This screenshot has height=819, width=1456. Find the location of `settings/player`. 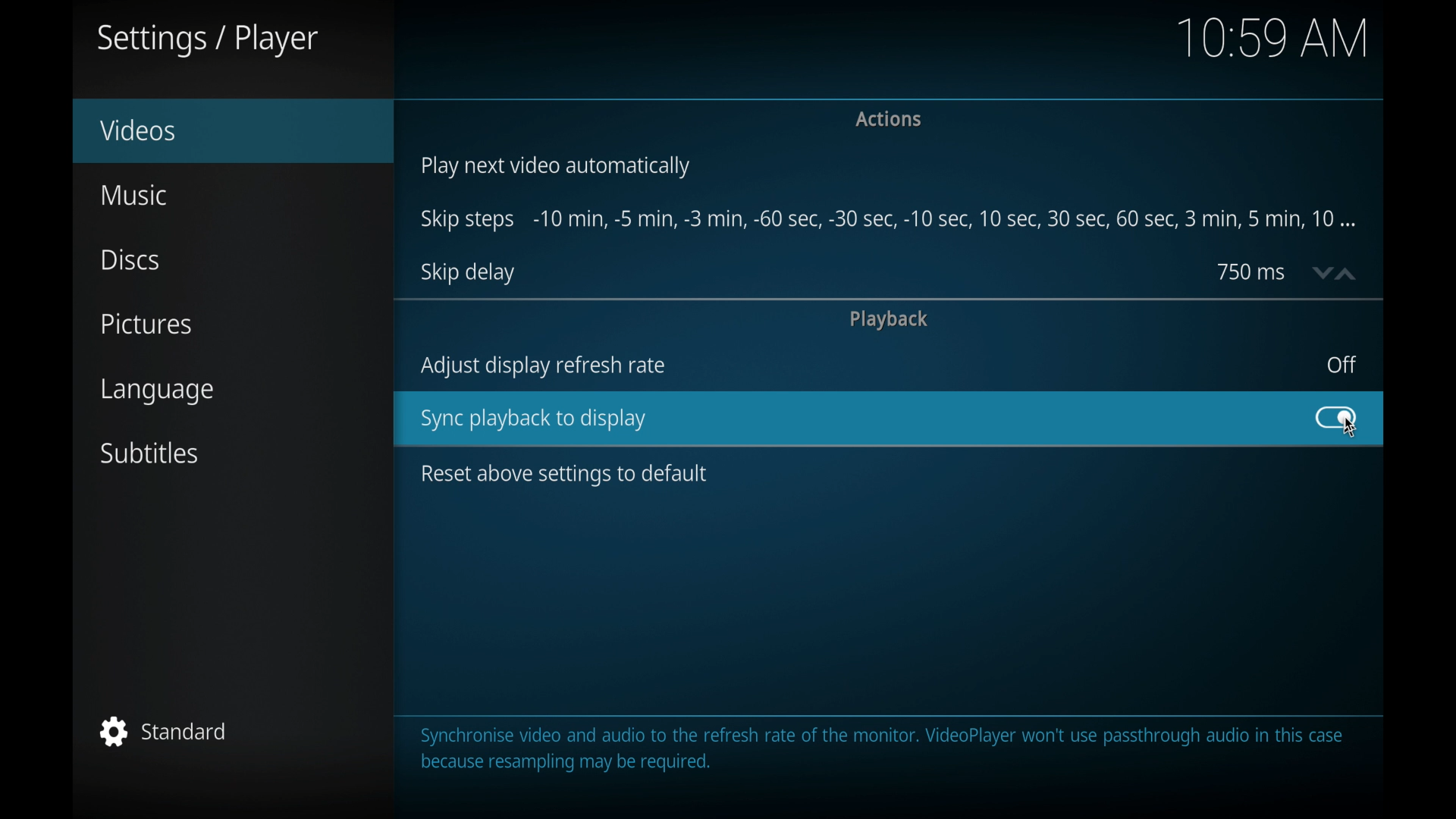

settings/player is located at coordinates (209, 40).